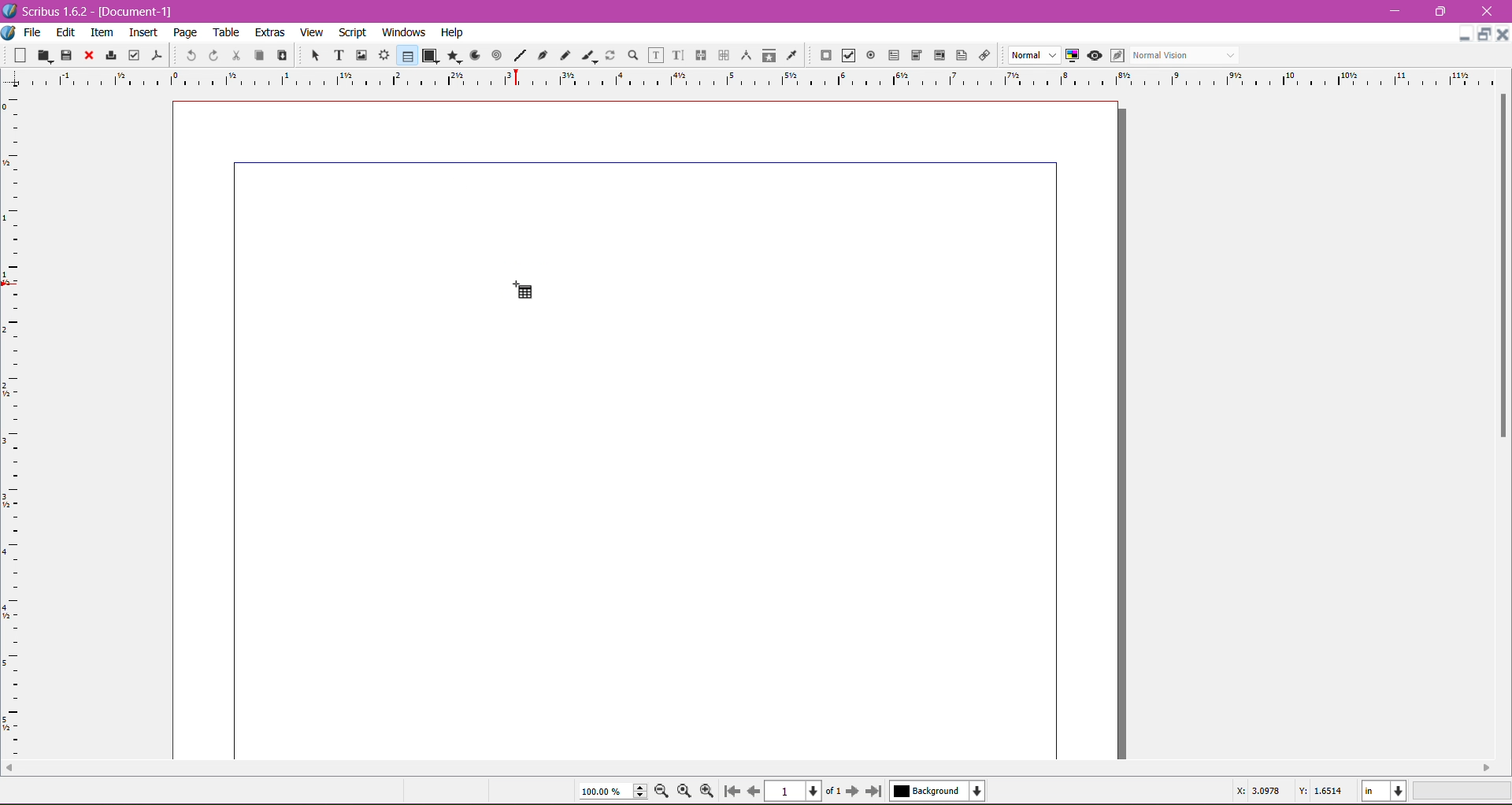  Describe the element at coordinates (32, 32) in the screenshot. I see `File` at that location.